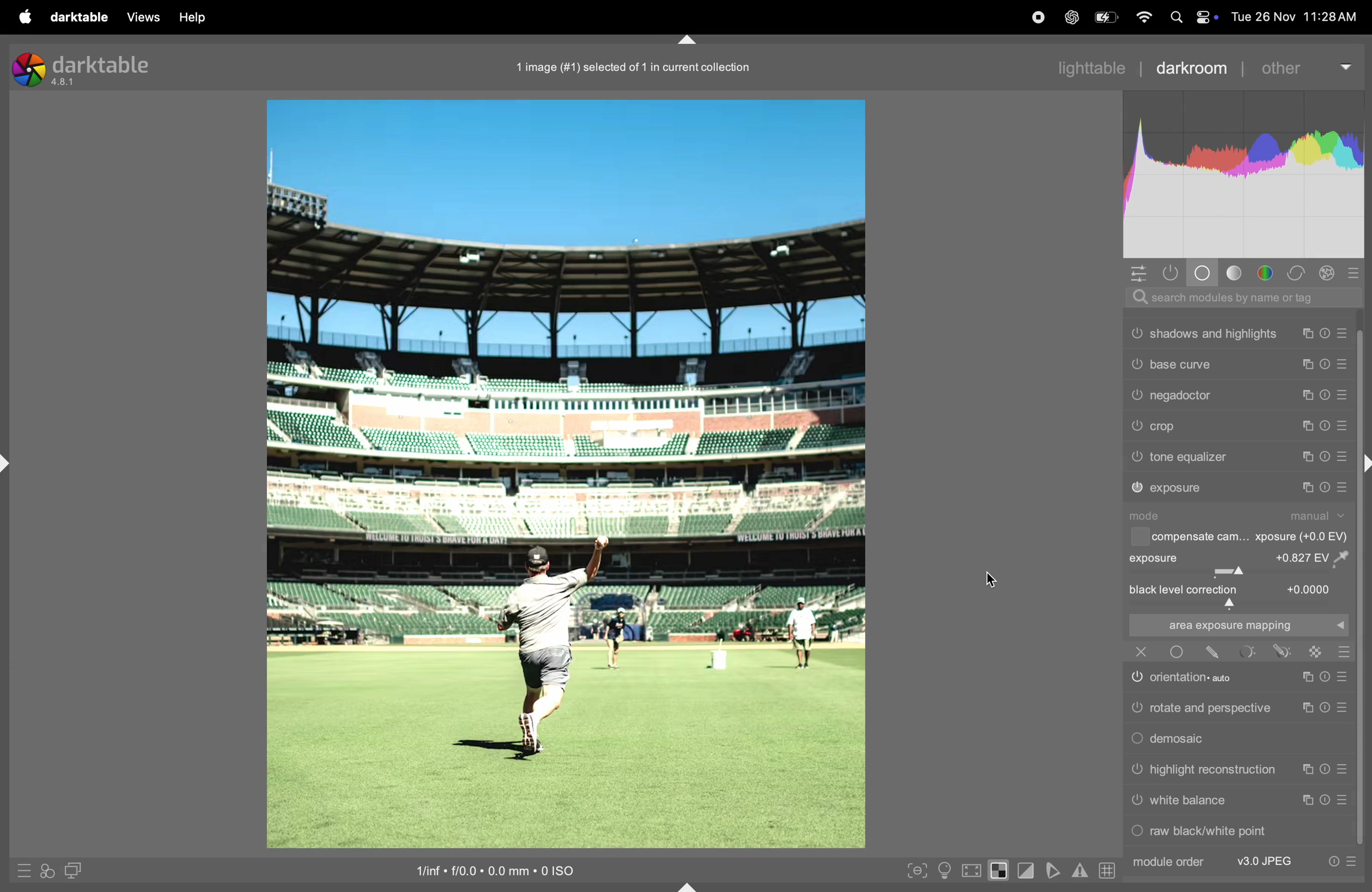 Image resolution: width=1372 pixels, height=892 pixels. Describe the element at coordinates (1211, 707) in the screenshot. I see `rotate and perspective` at that location.